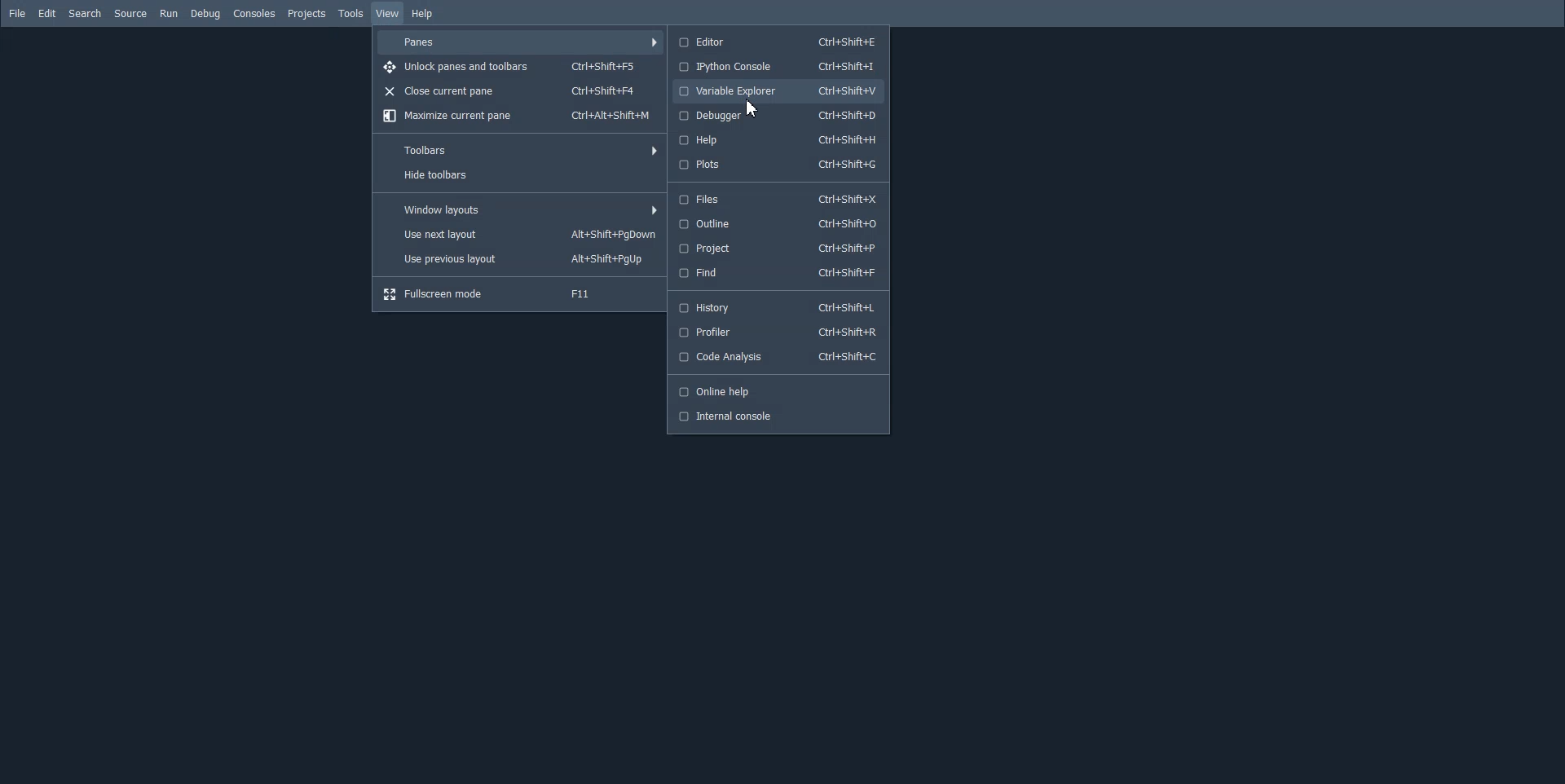 Image resolution: width=1565 pixels, height=784 pixels. What do you see at coordinates (776, 42) in the screenshot?
I see `Editor` at bounding box center [776, 42].